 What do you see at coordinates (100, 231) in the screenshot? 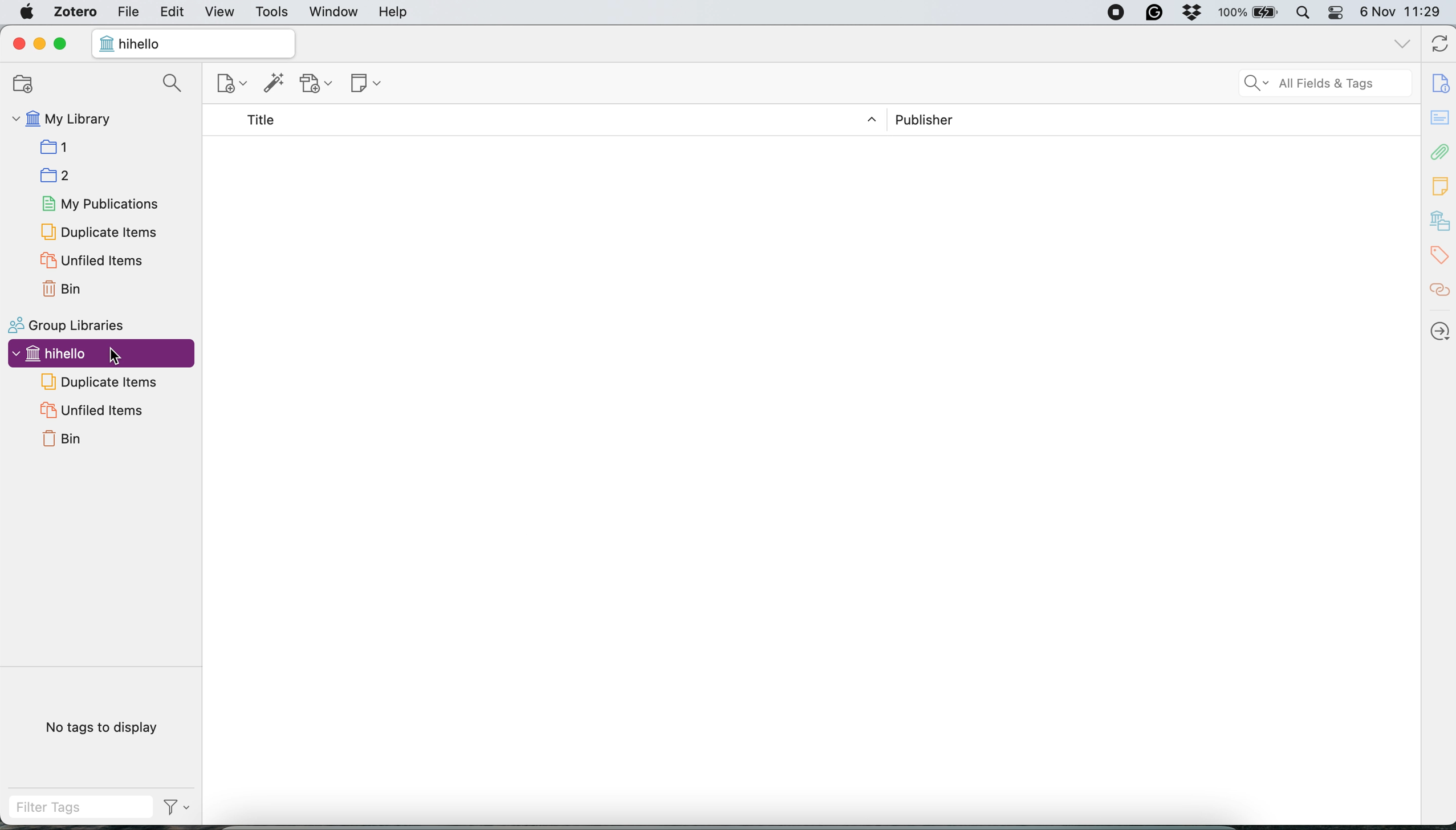
I see `duplicate items` at bounding box center [100, 231].